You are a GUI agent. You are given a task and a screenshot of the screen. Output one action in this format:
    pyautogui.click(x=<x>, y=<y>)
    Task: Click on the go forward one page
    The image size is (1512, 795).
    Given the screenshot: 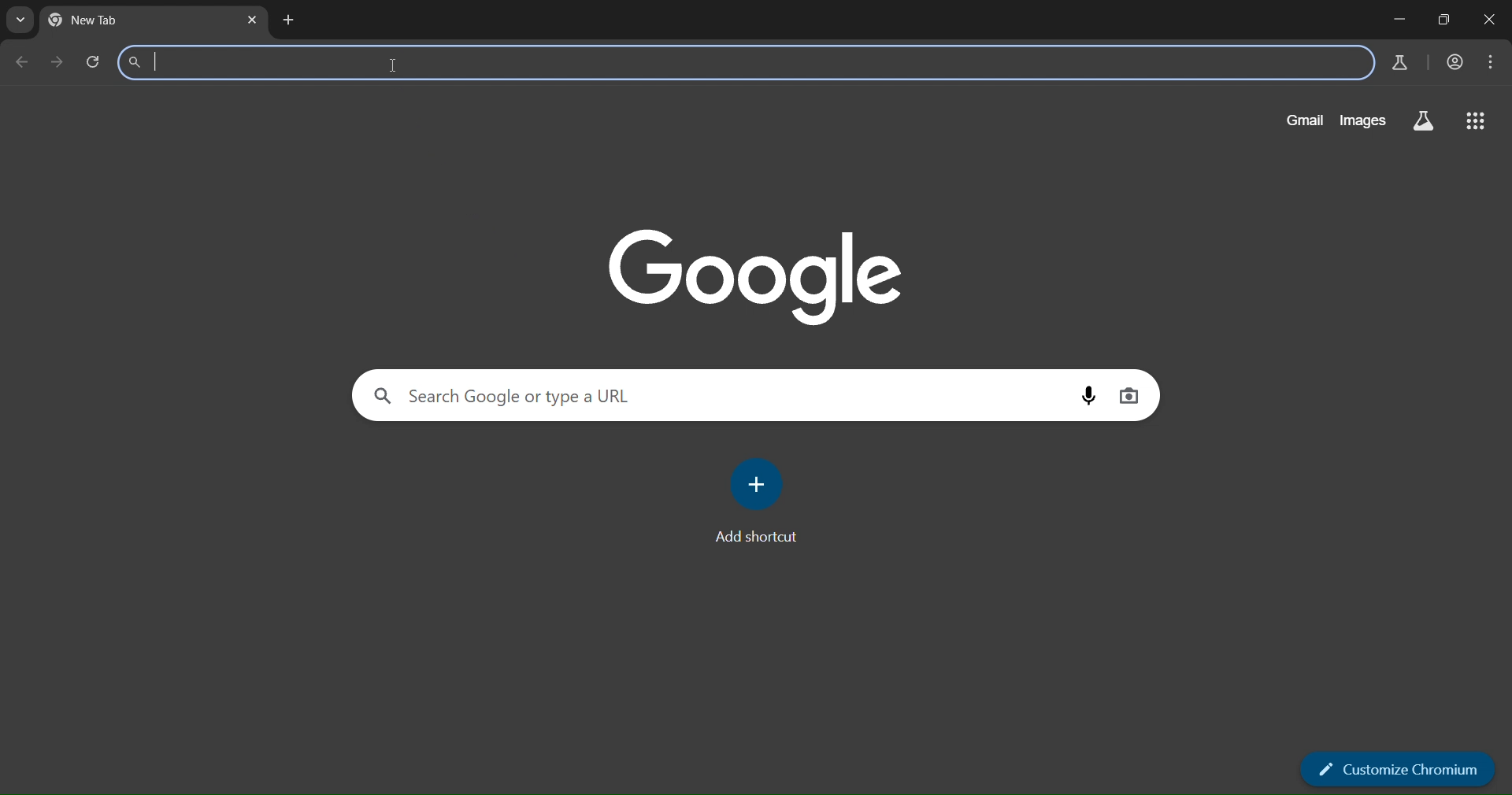 What is the action you would take?
    pyautogui.click(x=59, y=65)
    